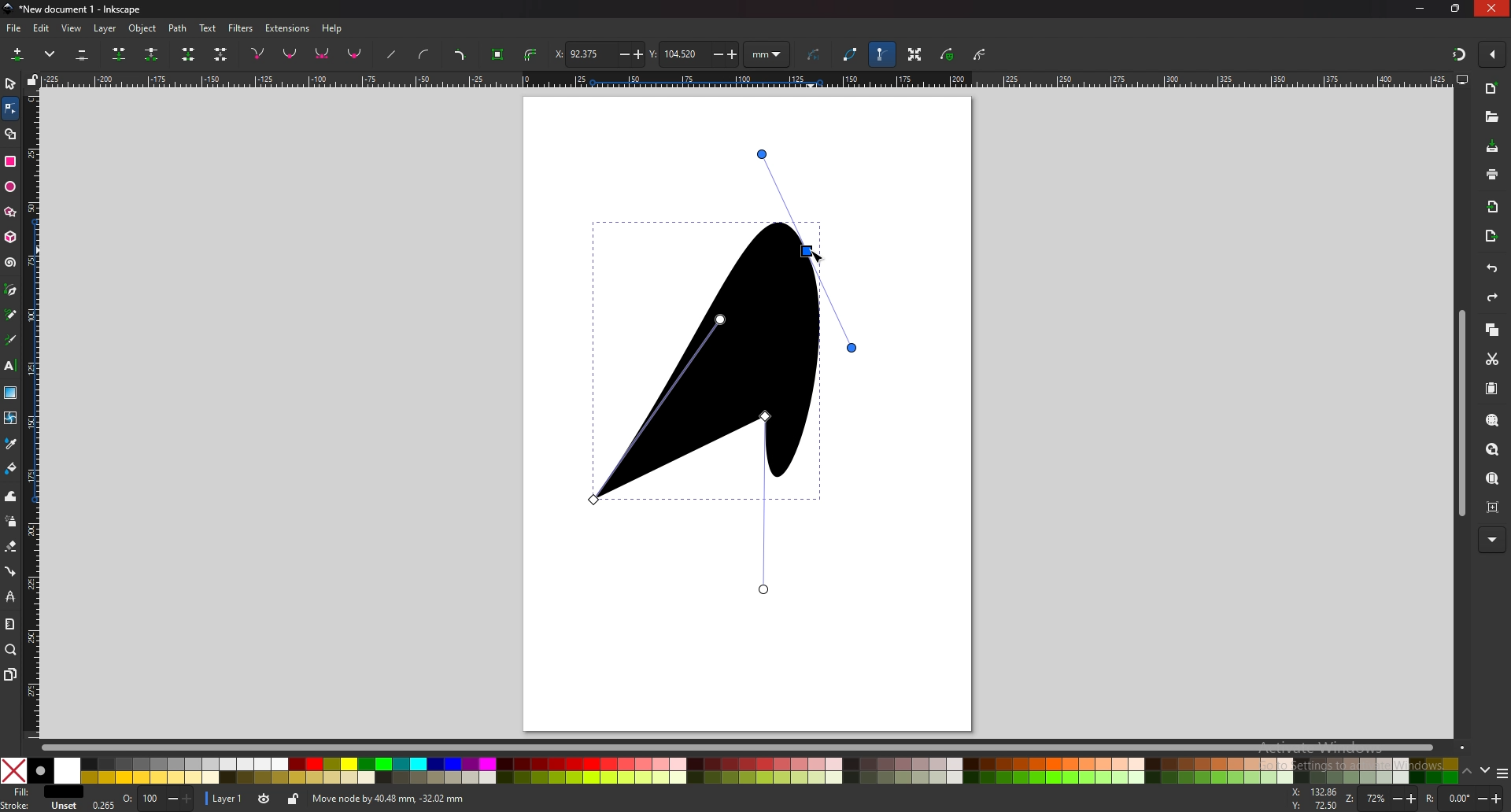 This screenshot has height=812, width=1511. Describe the element at coordinates (72, 29) in the screenshot. I see `view` at that location.